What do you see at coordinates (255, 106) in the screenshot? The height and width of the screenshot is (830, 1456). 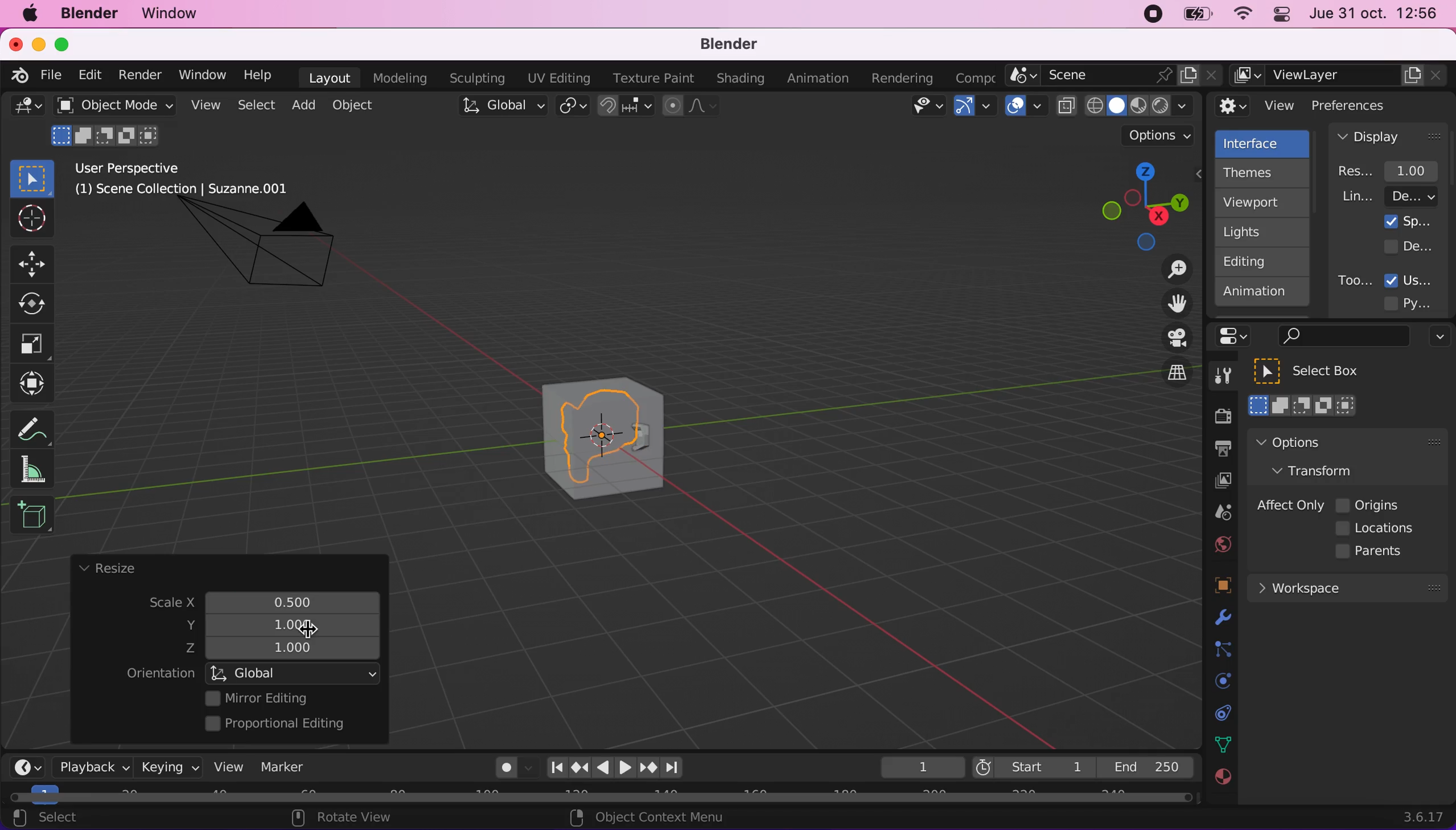 I see `select` at bounding box center [255, 106].